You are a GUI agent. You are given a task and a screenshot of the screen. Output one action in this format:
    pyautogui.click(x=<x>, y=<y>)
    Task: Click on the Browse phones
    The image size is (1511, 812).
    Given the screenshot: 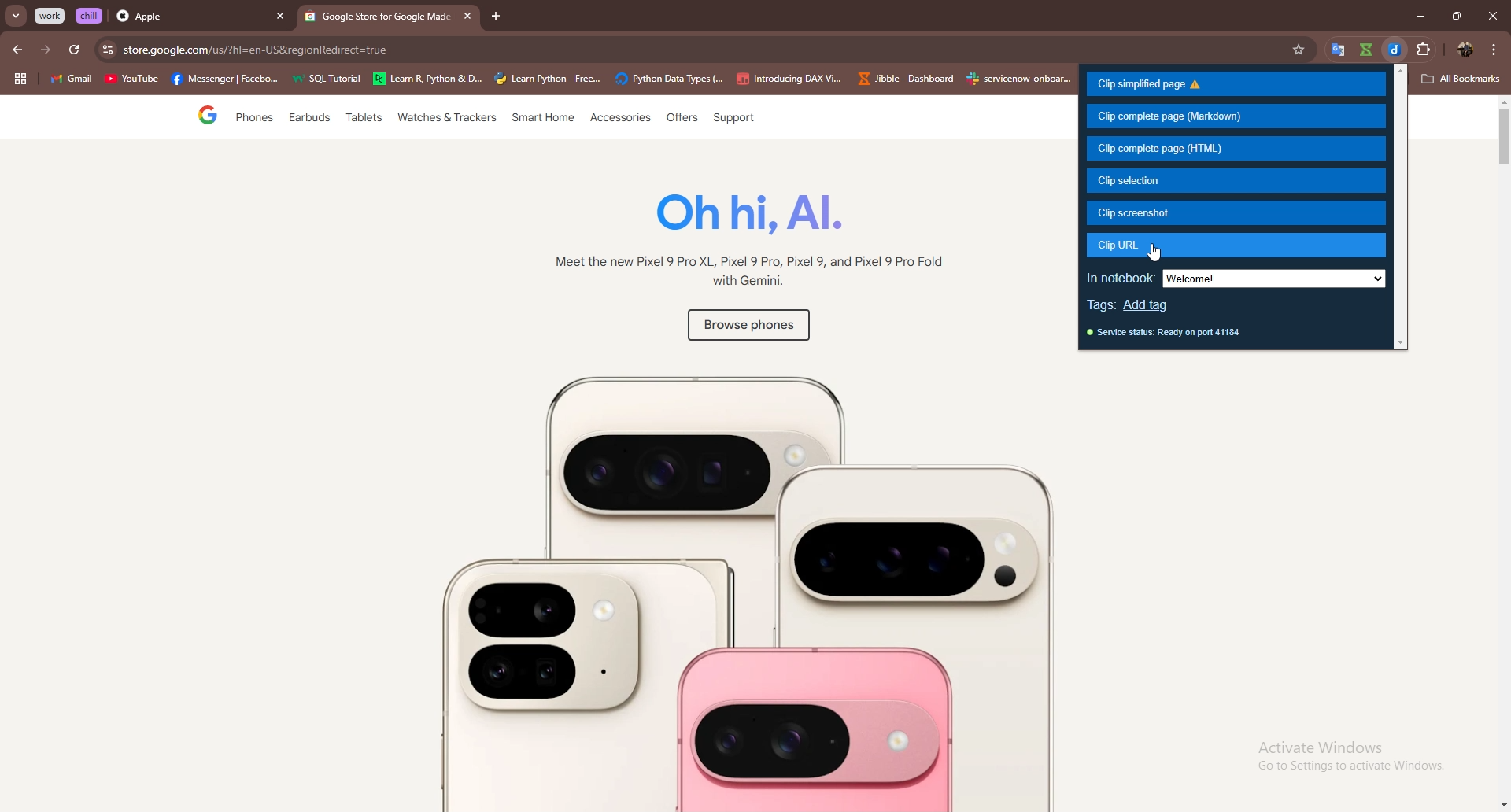 What is the action you would take?
    pyautogui.click(x=746, y=328)
    